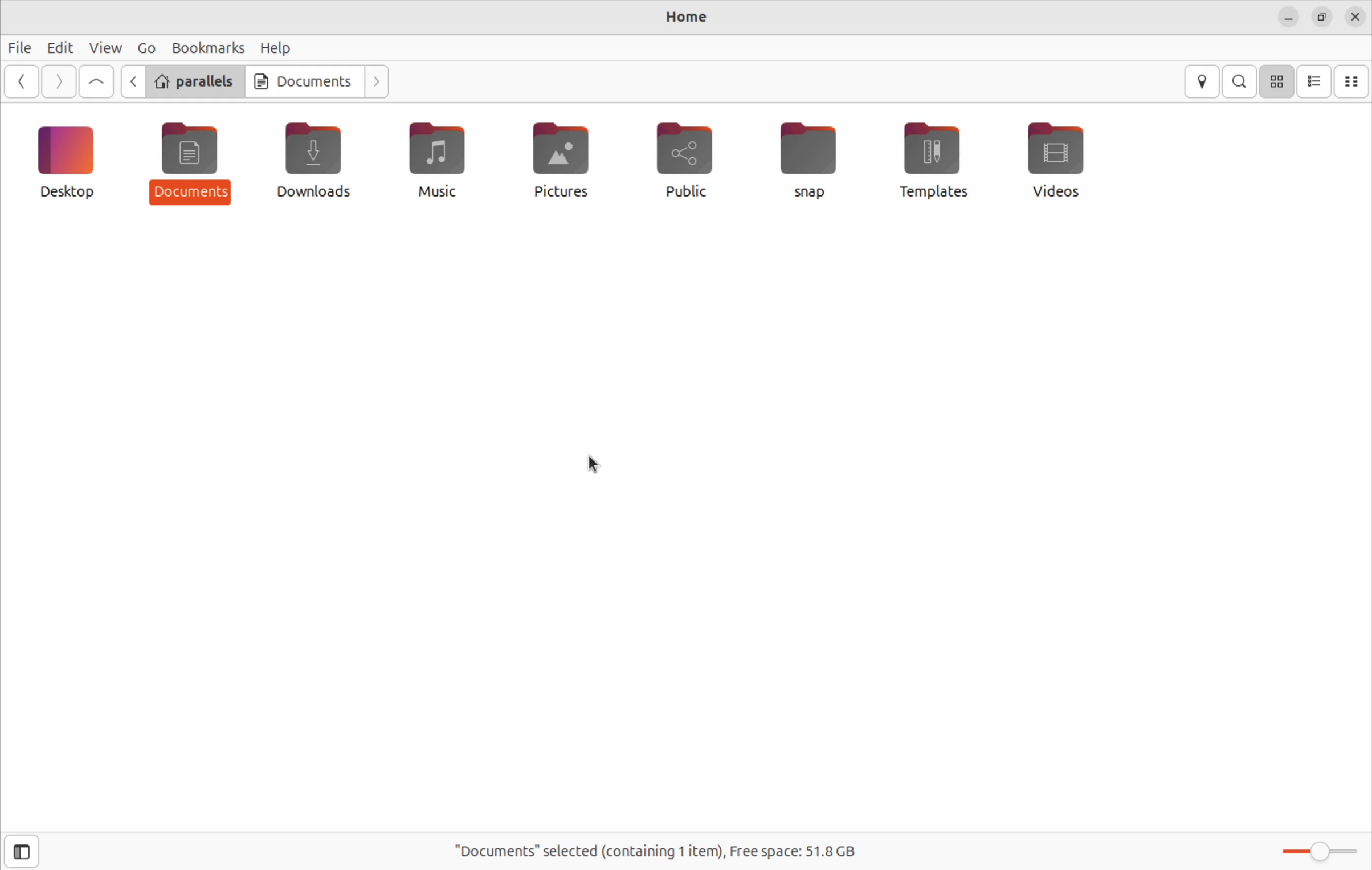  I want to click on Go up, so click(96, 80).